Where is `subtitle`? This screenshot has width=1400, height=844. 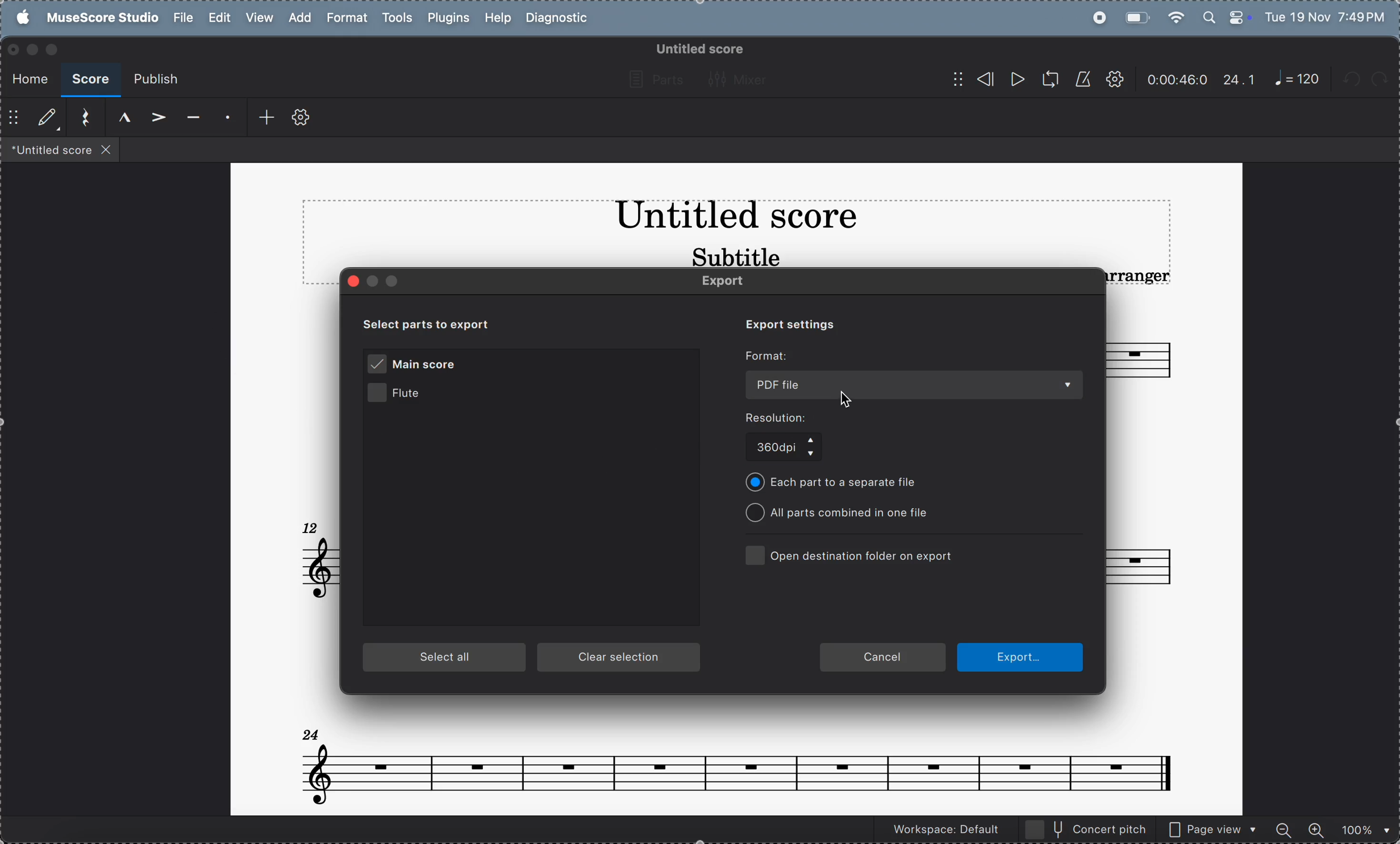
subtitle is located at coordinates (734, 256).